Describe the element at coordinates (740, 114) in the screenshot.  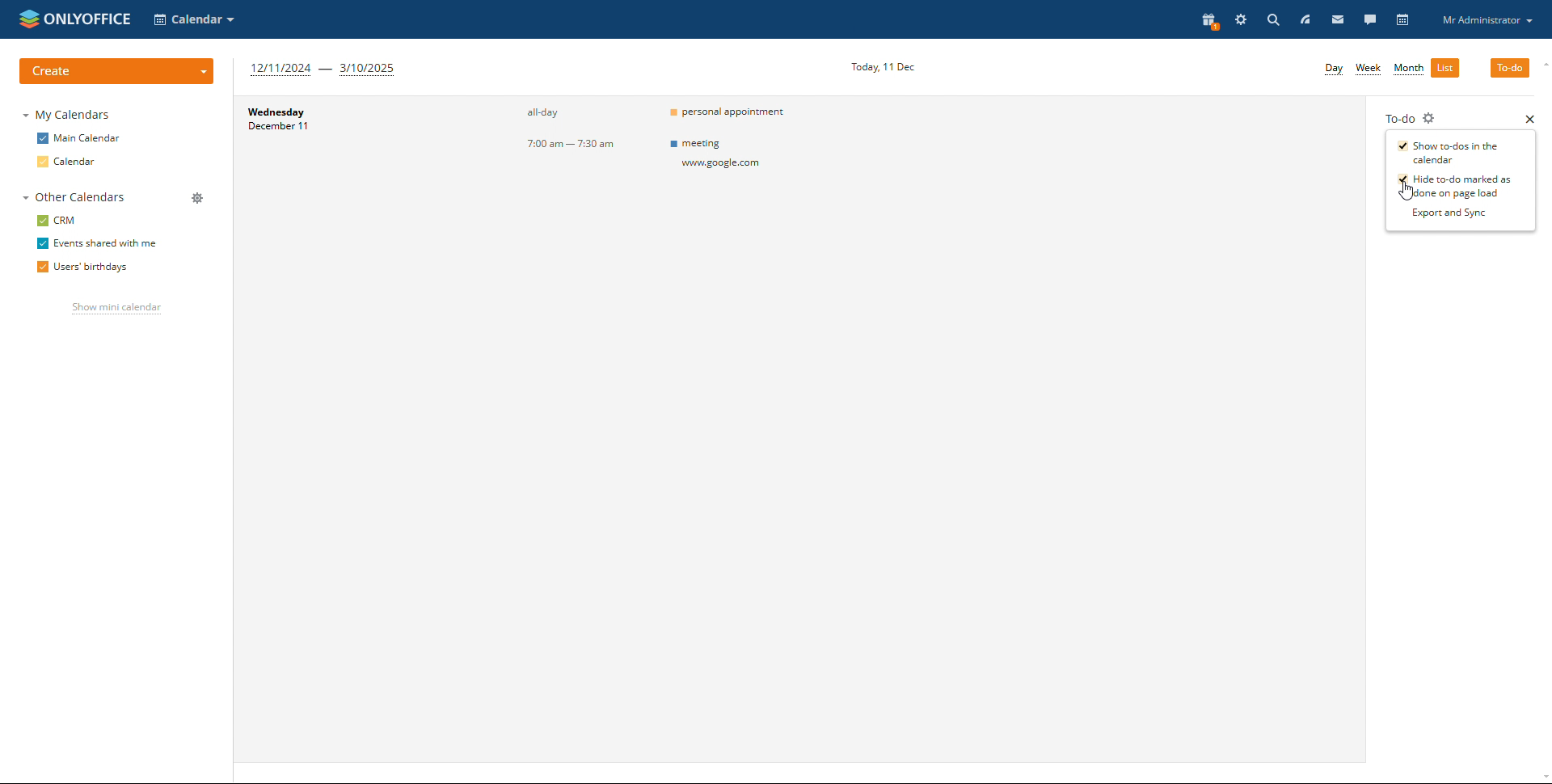
I see `events` at that location.